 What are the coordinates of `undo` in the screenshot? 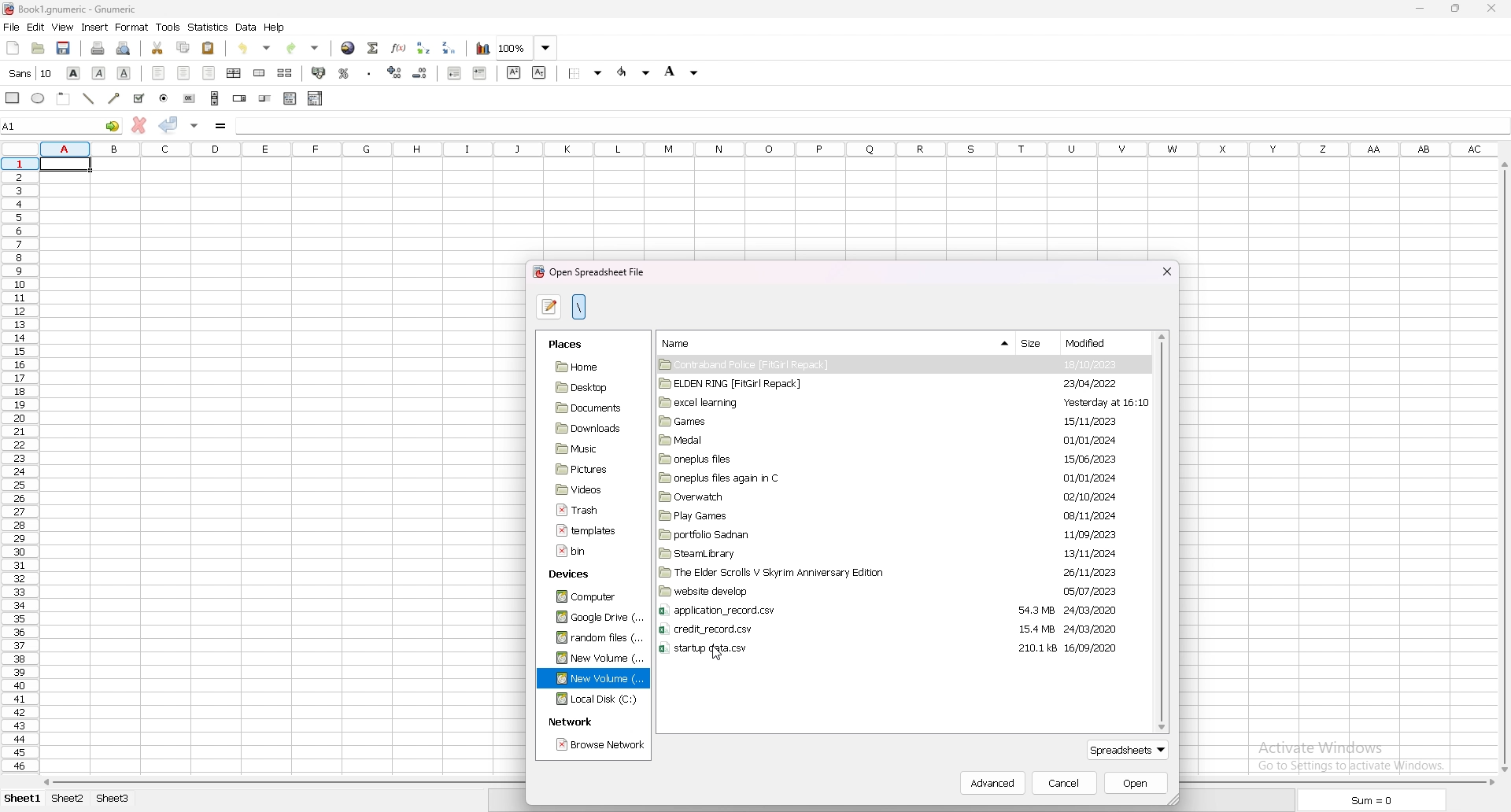 It's located at (257, 49).